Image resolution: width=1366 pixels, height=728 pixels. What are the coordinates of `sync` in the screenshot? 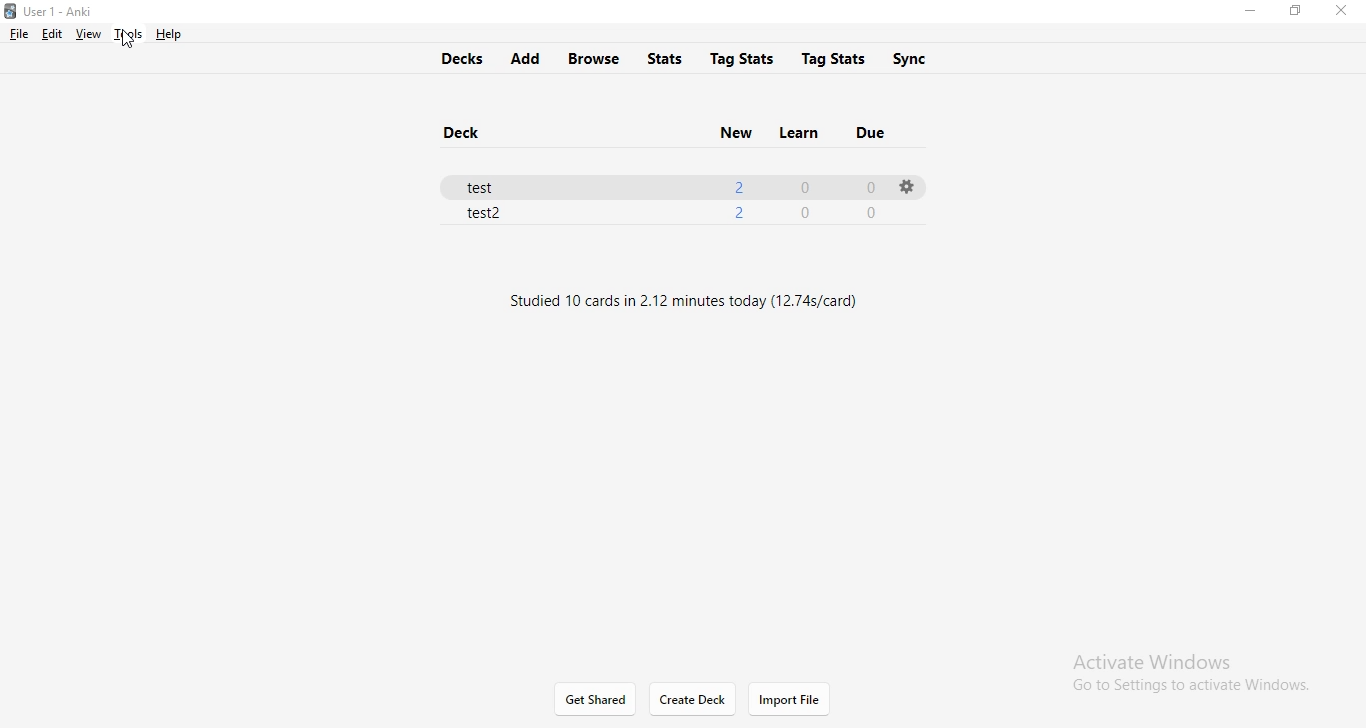 It's located at (923, 59).